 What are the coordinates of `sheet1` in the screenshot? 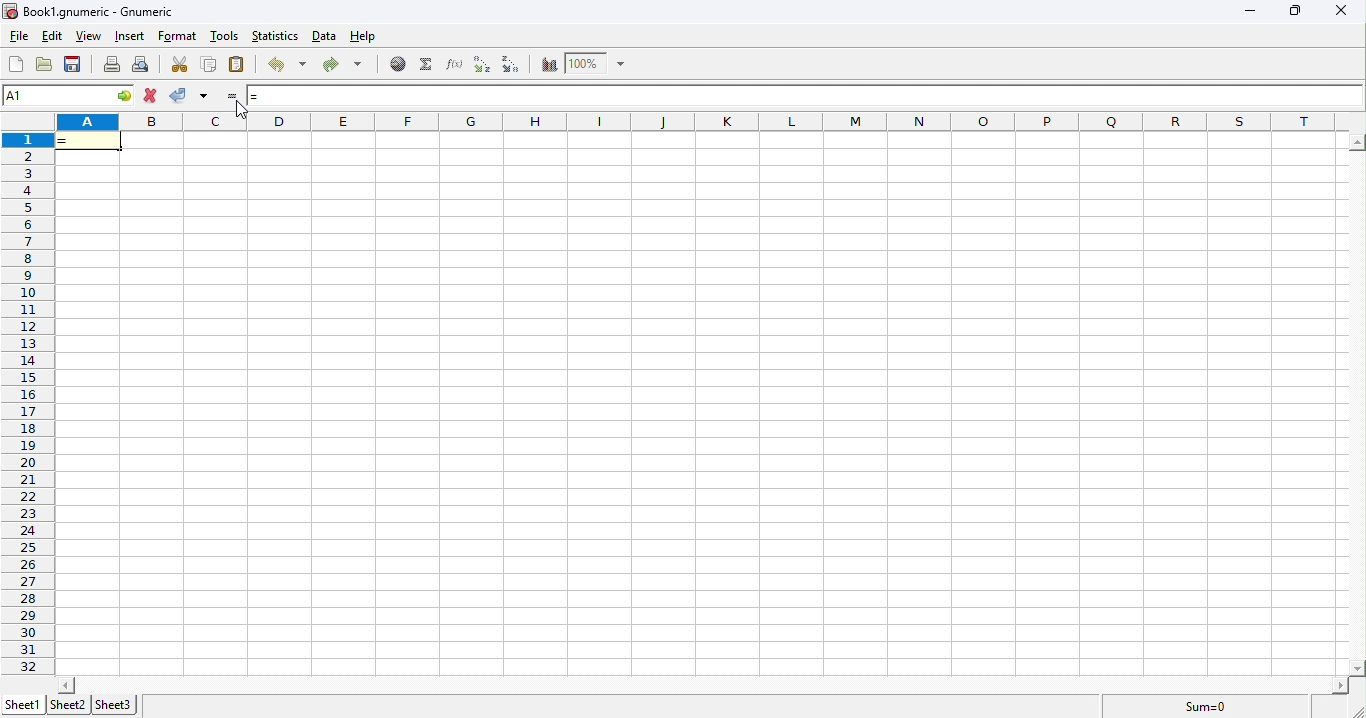 It's located at (26, 705).